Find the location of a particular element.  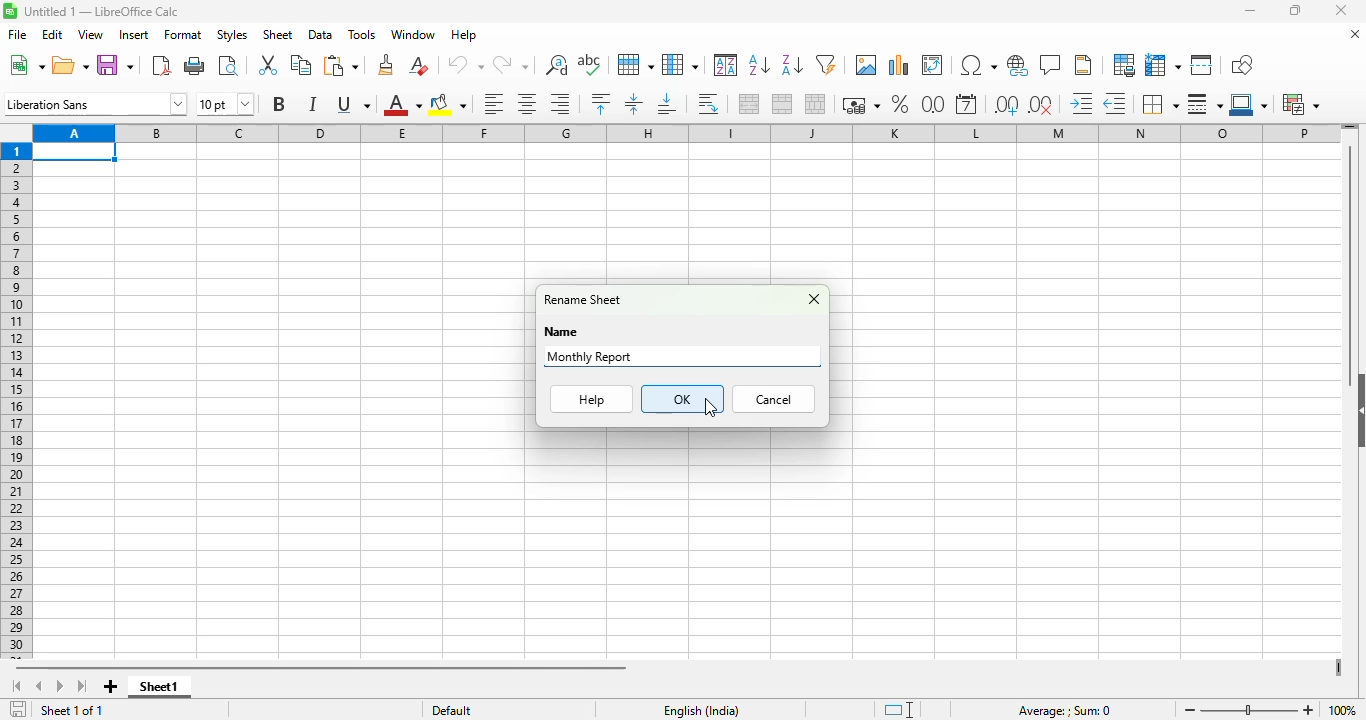

merge and center or unmerge cells depending on the current toggle state is located at coordinates (750, 104).